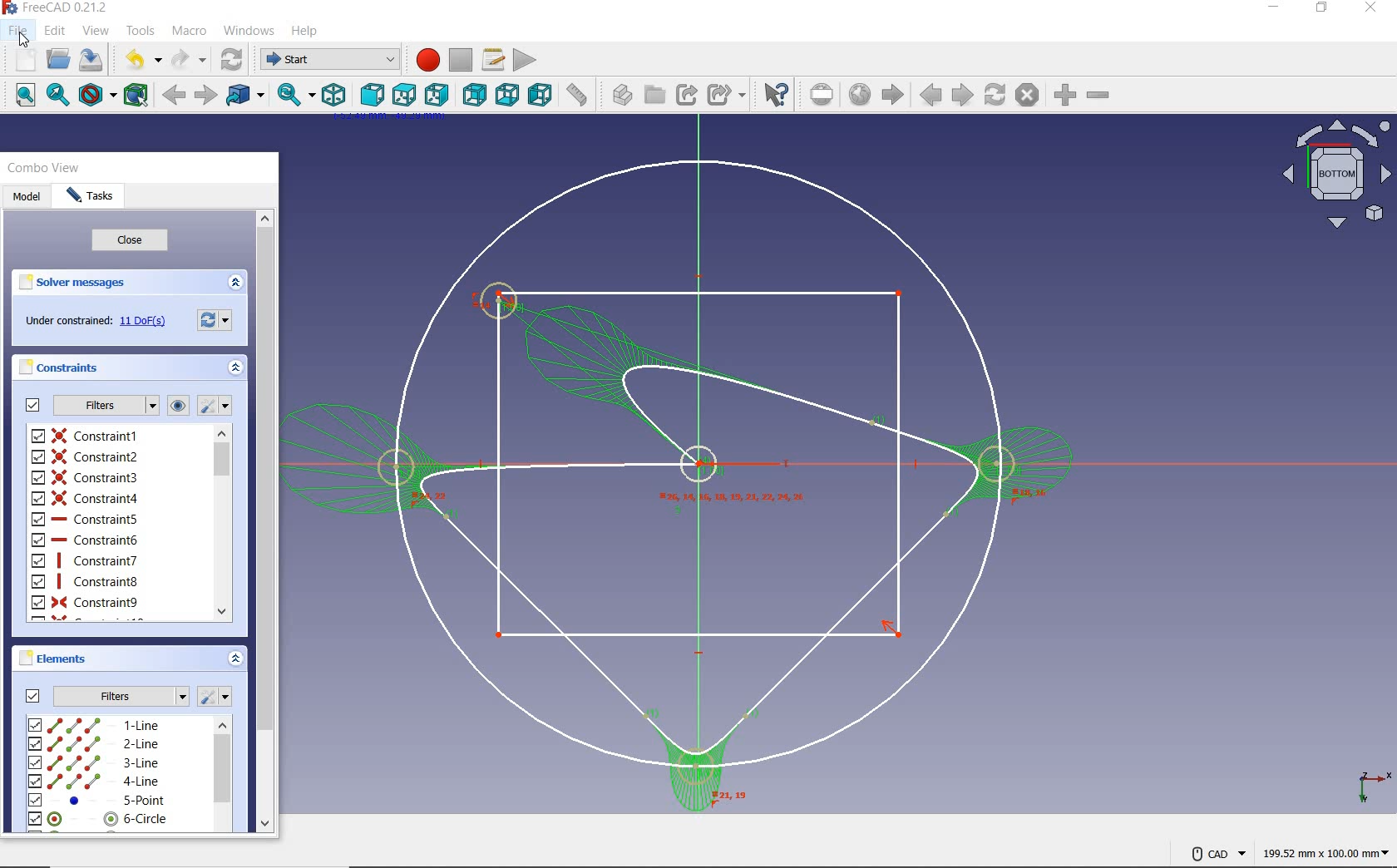 The image size is (1397, 868). I want to click on create part, so click(618, 94).